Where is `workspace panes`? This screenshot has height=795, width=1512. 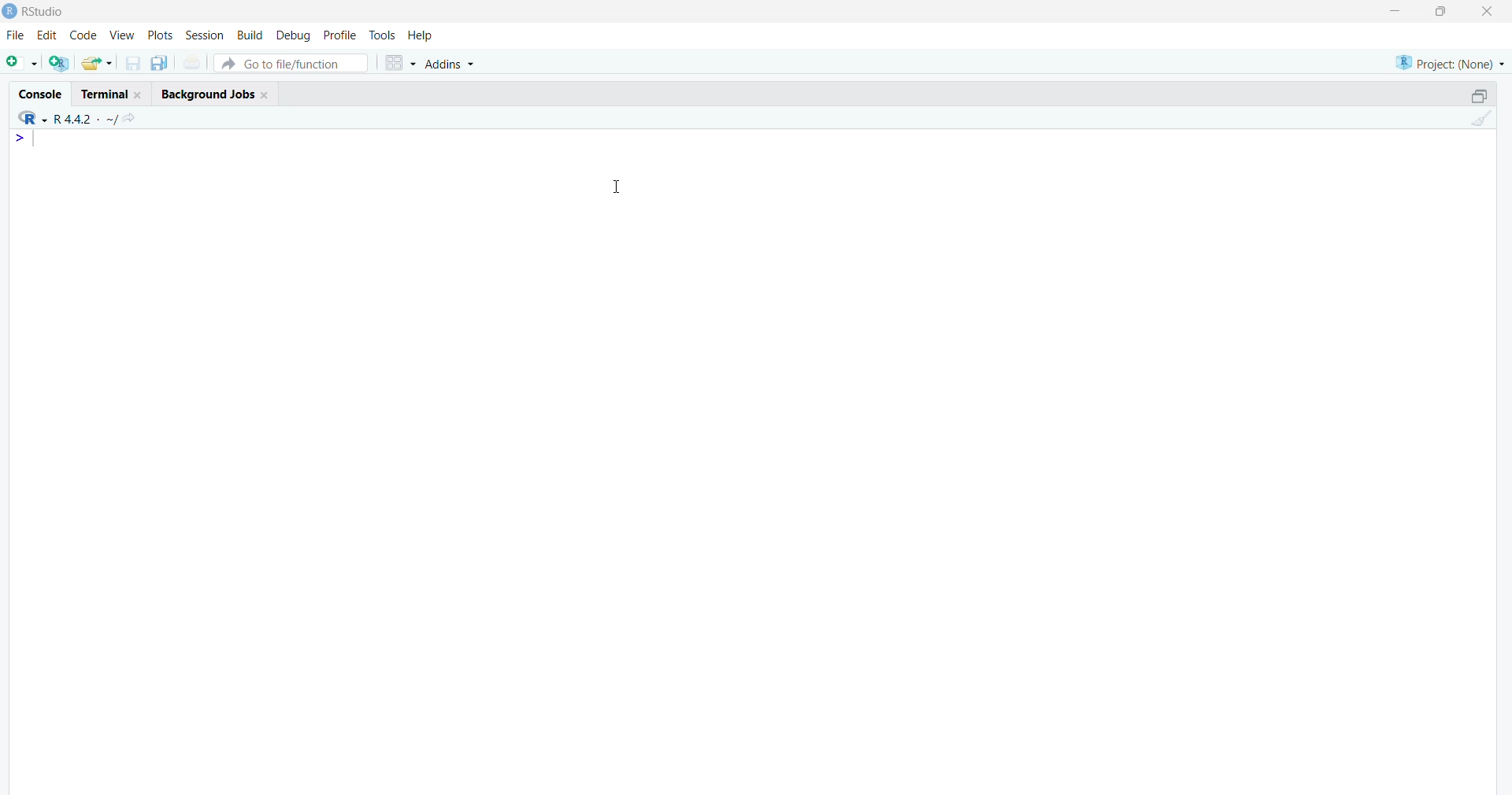
workspace panes is located at coordinates (399, 65).